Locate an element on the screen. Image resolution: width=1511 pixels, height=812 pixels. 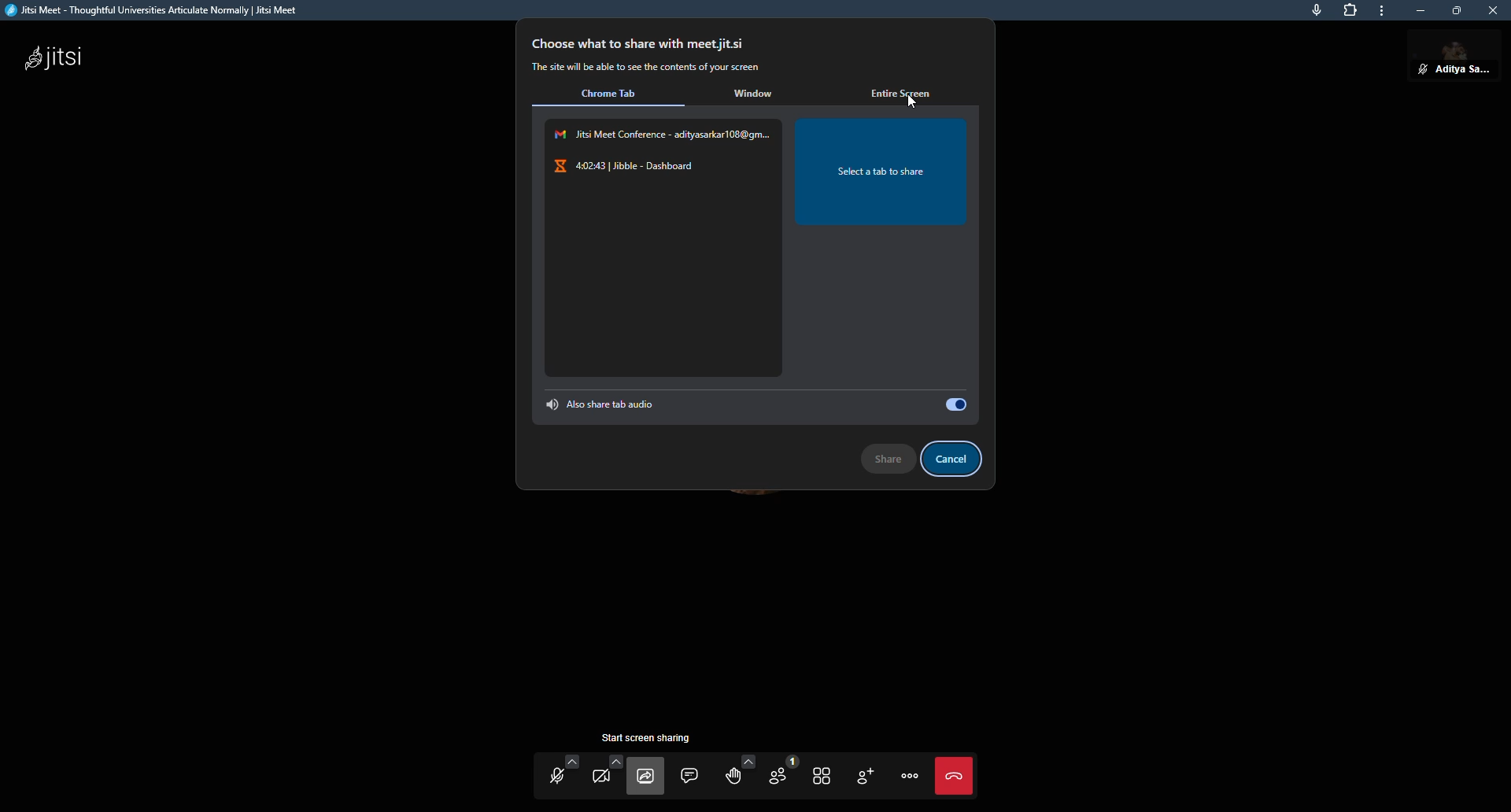
Jitsi Meet - Thoughtful Universities Articulate Normally | Jitsi Meet is located at coordinates (167, 11).